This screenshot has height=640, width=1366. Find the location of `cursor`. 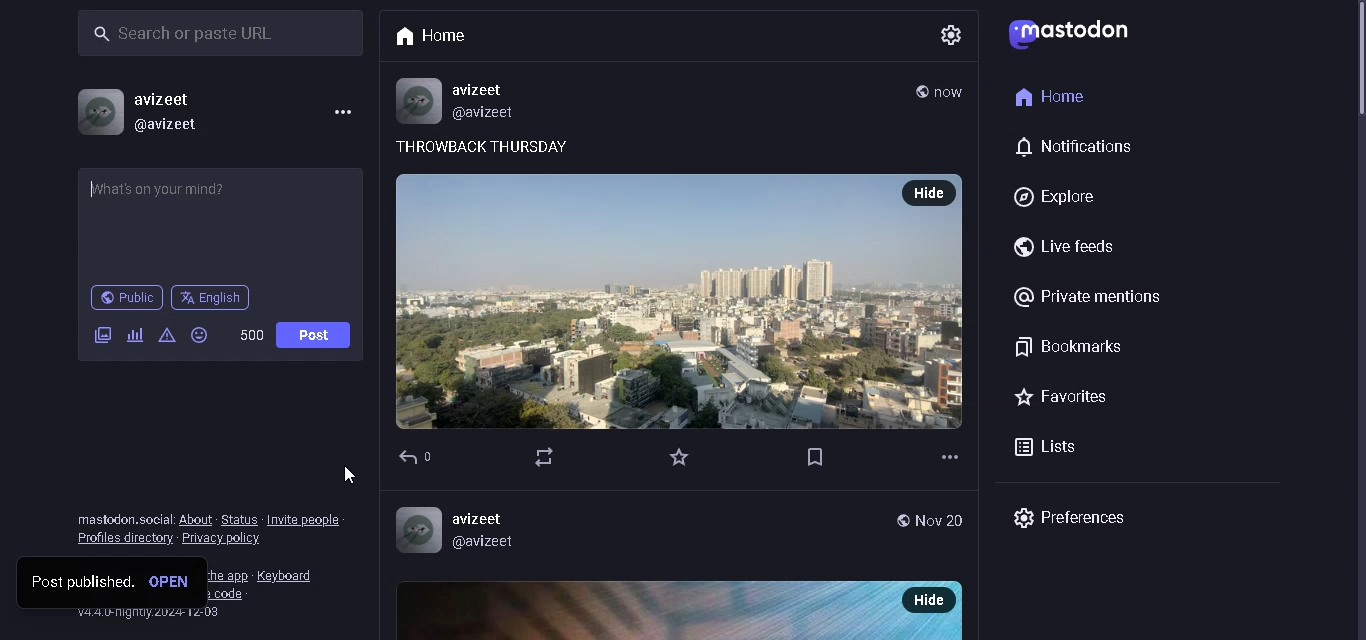

cursor is located at coordinates (351, 475).